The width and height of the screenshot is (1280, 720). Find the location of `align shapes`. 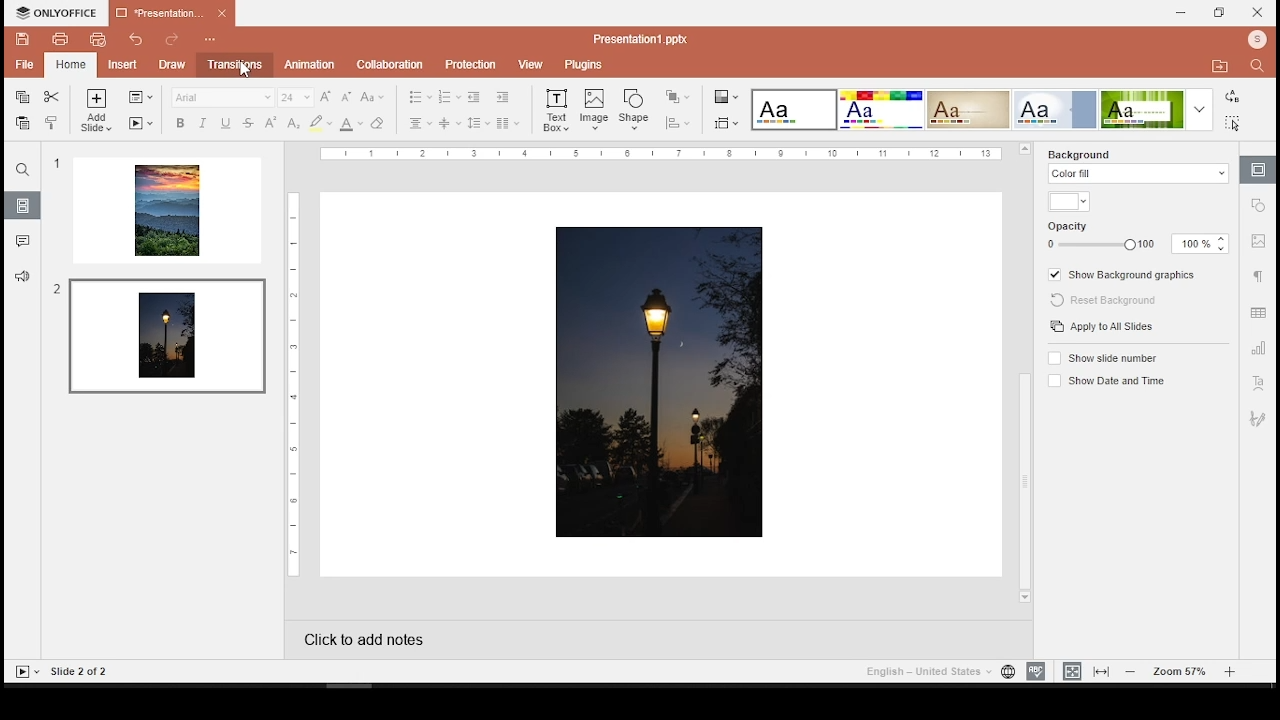

align shapes is located at coordinates (676, 123).